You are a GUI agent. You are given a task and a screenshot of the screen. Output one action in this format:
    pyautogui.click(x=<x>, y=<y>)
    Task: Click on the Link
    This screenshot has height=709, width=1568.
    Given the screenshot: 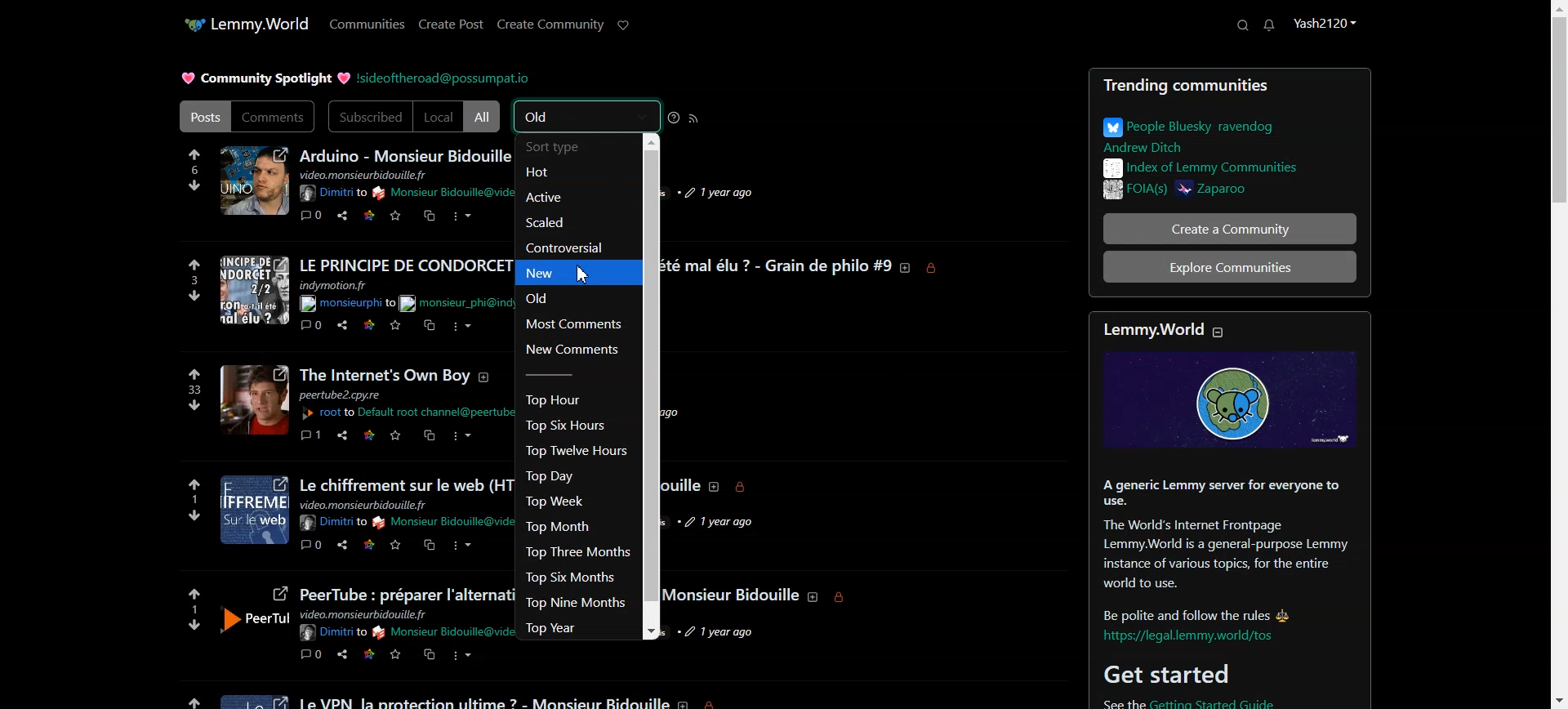 What is the action you would take?
    pyautogui.click(x=369, y=215)
    